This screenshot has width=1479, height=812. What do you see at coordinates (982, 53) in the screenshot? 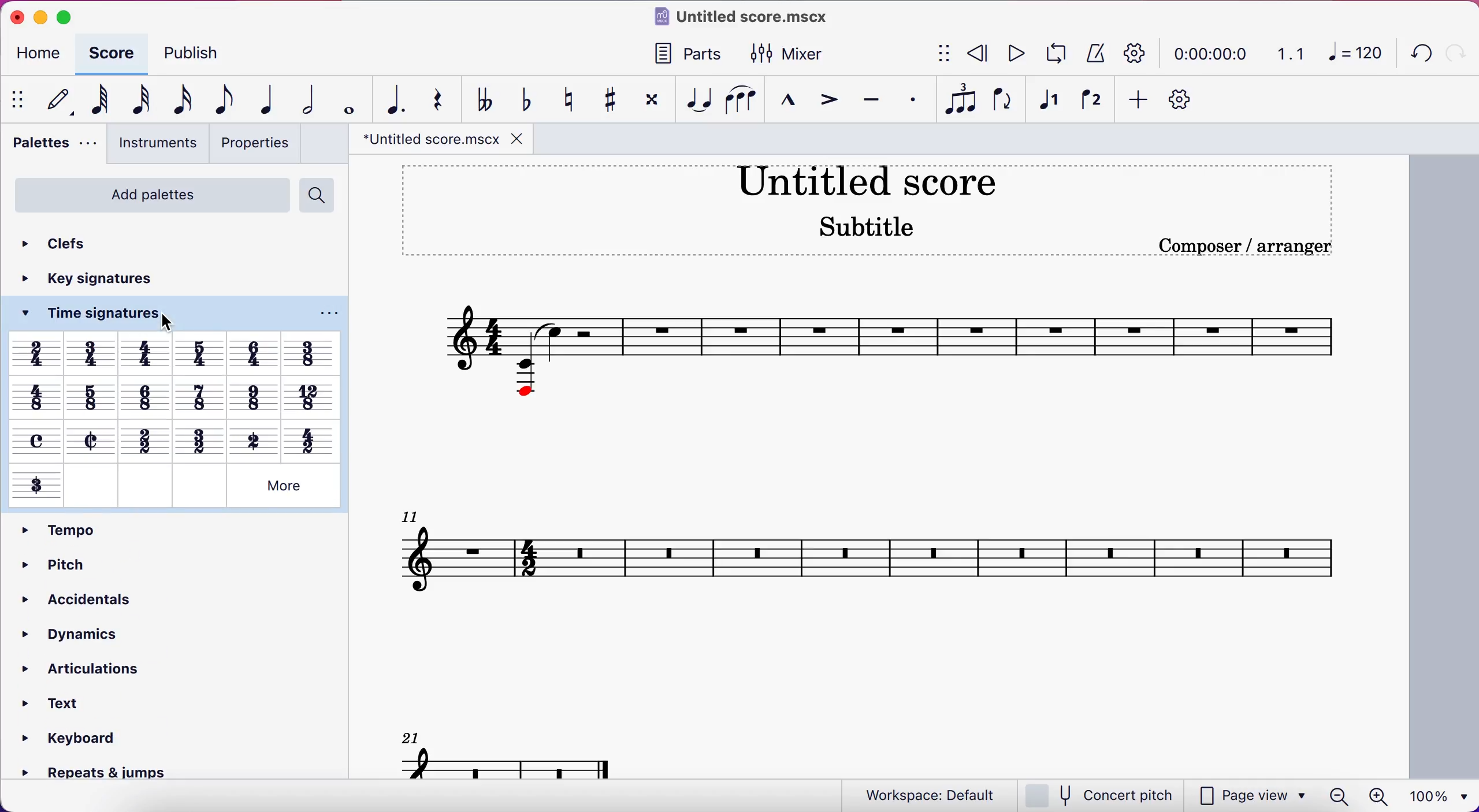
I see `review` at bounding box center [982, 53].